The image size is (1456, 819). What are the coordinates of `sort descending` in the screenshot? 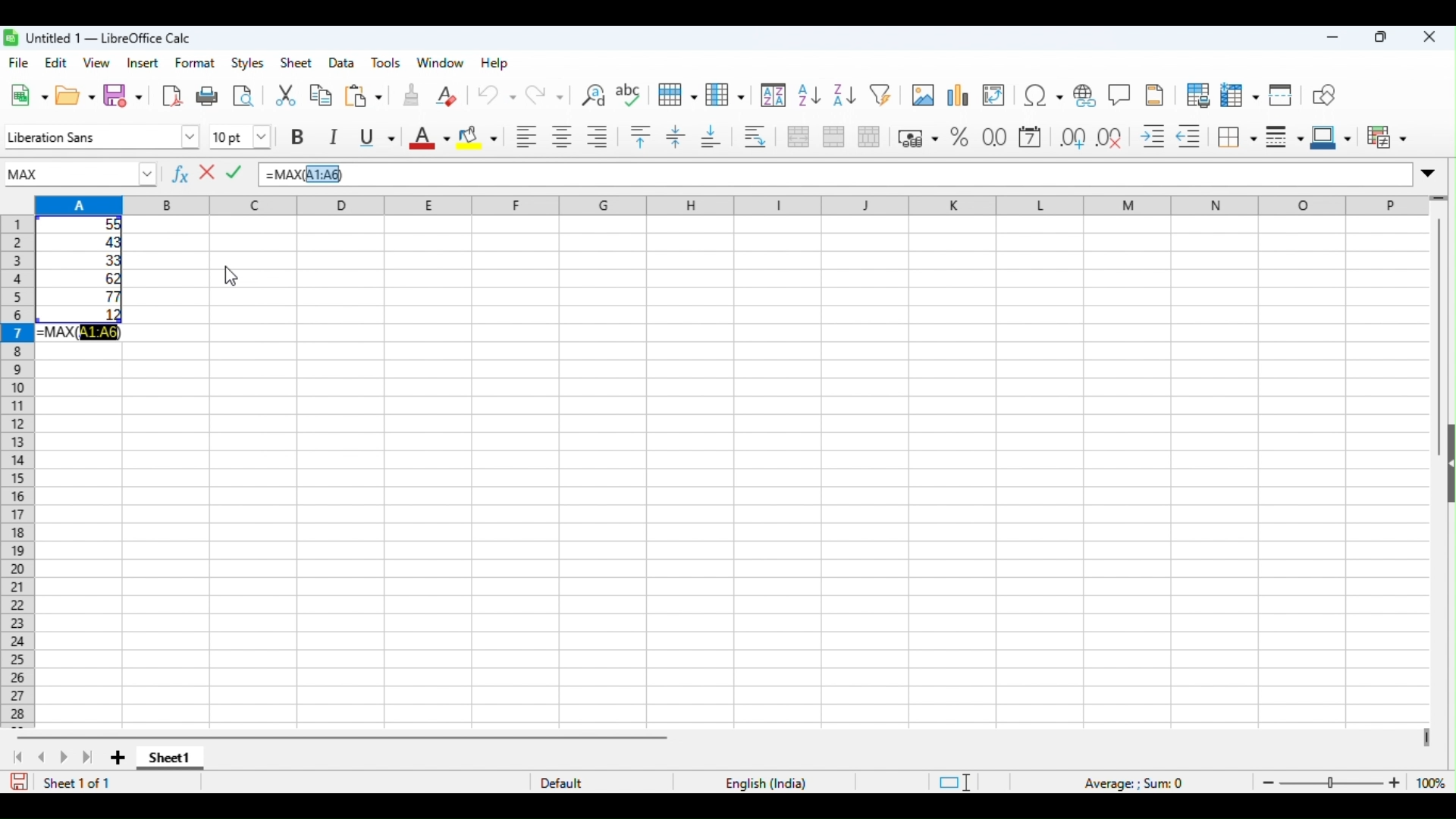 It's located at (841, 96).